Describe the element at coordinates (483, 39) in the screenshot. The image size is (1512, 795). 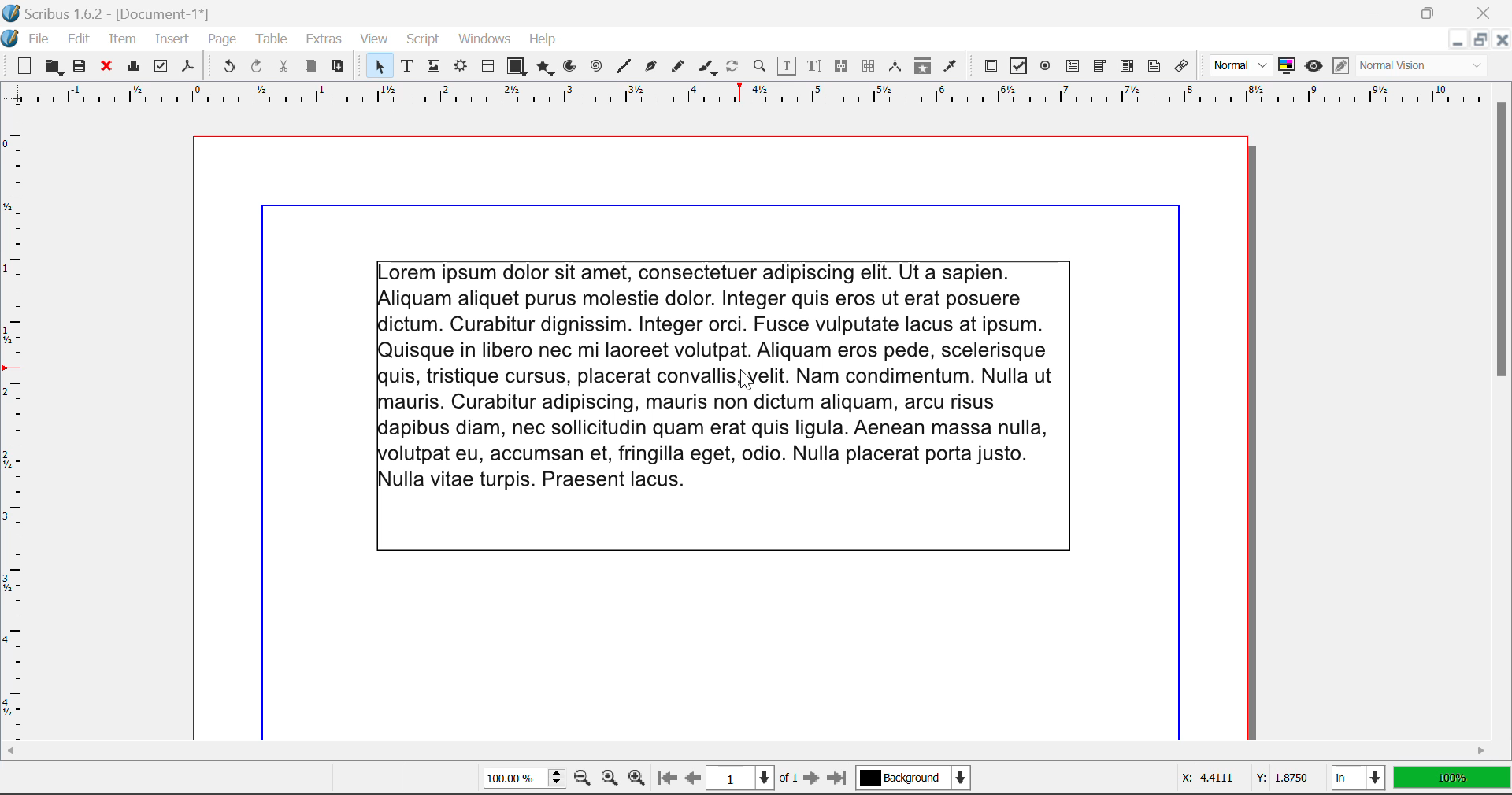
I see `Windows` at that location.